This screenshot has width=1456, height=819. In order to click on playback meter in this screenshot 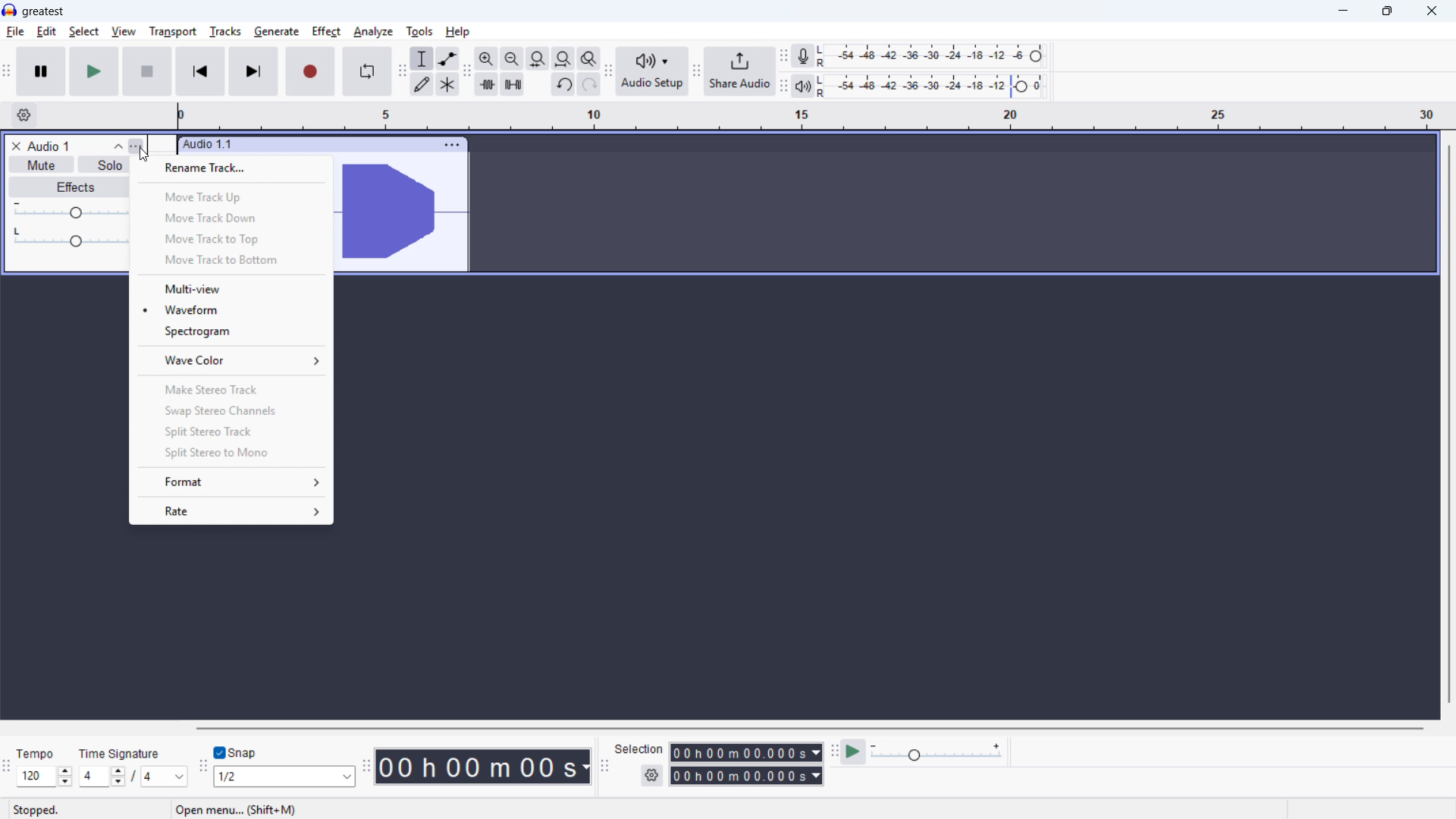, I will do `click(802, 86)`.